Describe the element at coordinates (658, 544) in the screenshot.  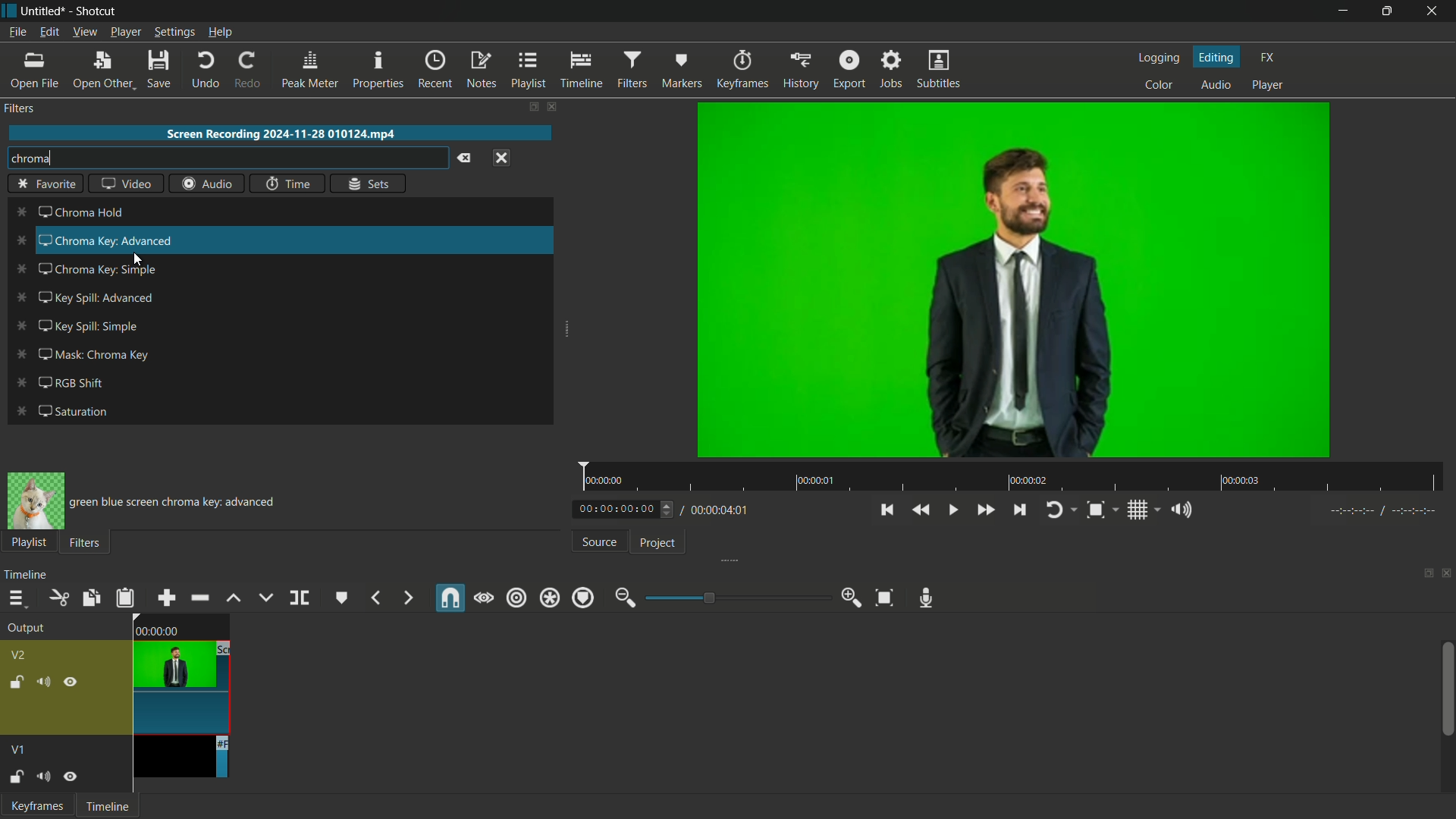
I see `project tab` at that location.